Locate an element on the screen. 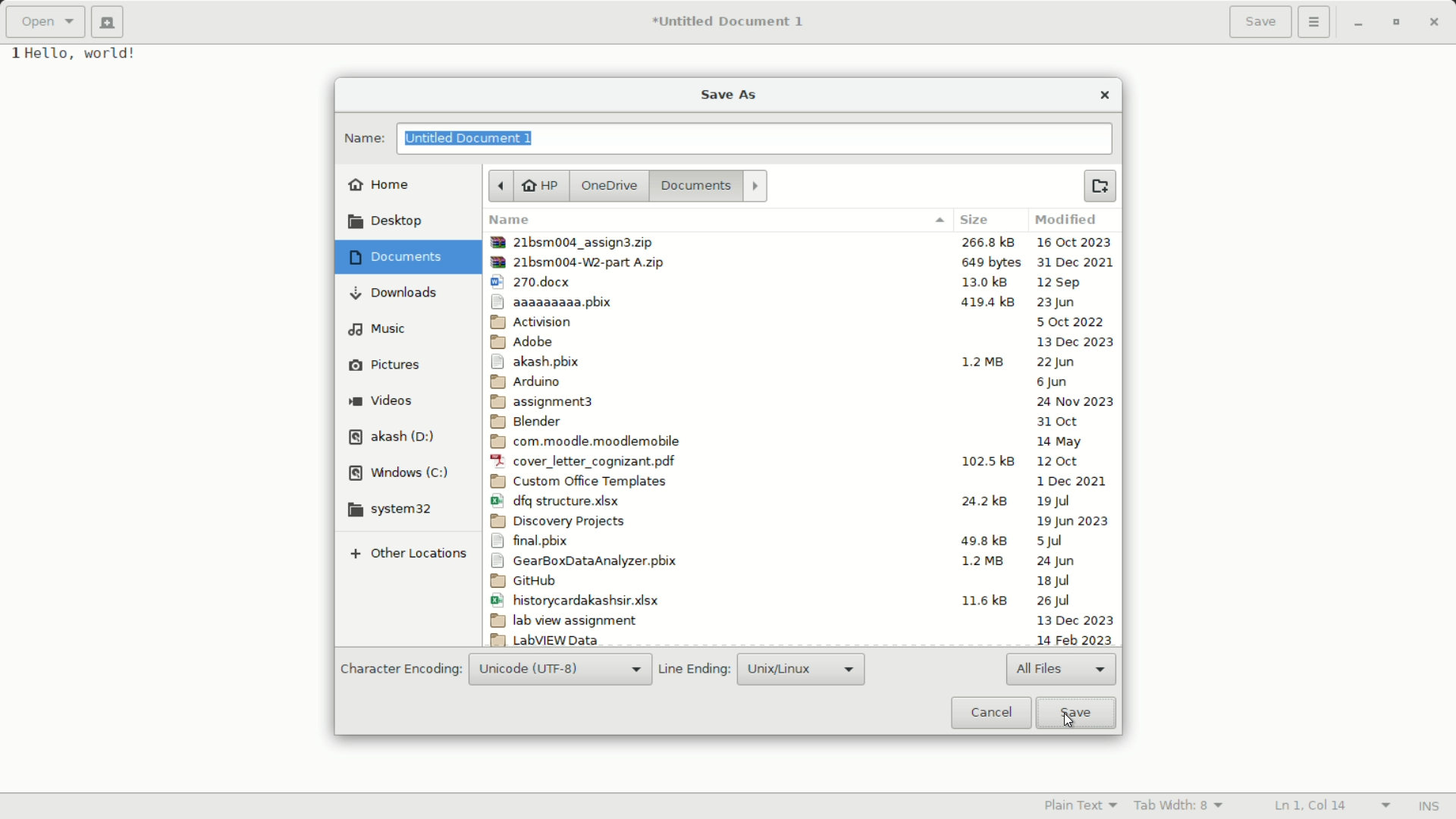  Character Encoding dropdown menu is located at coordinates (560, 670).